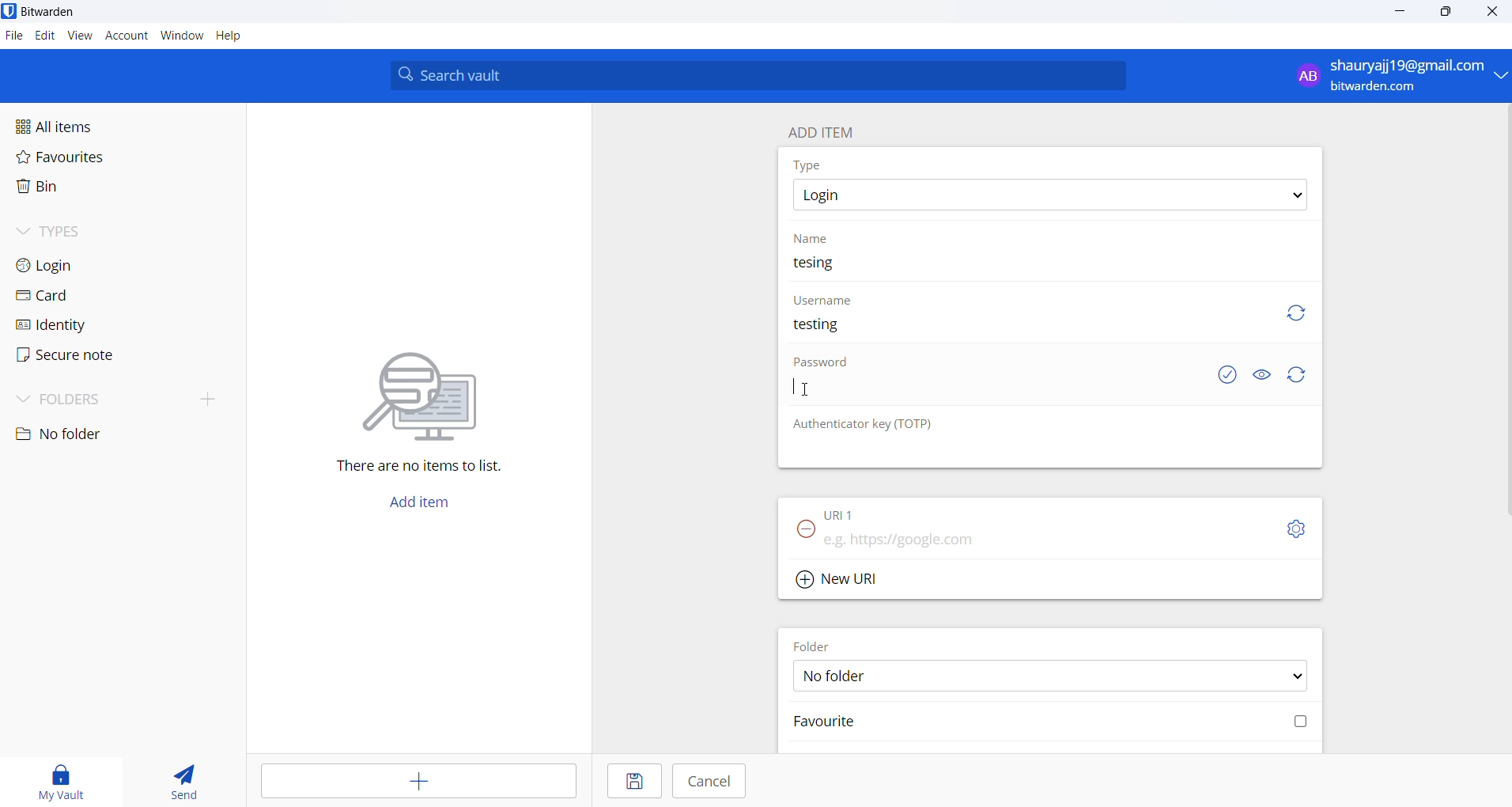 The height and width of the screenshot is (807, 1512). I want to click on Name text box, so click(1042, 267).